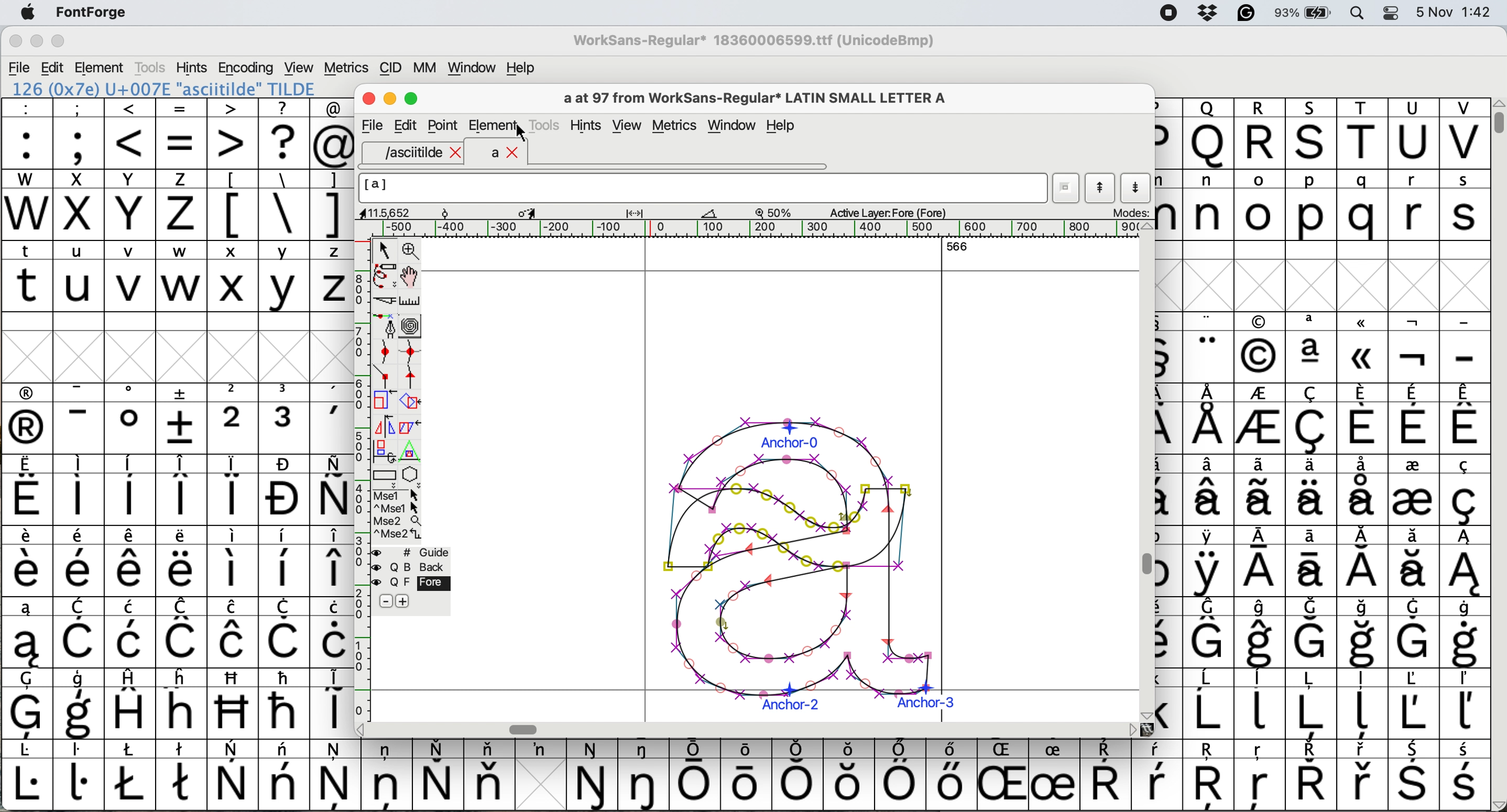 The height and width of the screenshot is (812, 1507). Describe the element at coordinates (285, 490) in the screenshot. I see `symbol` at that location.